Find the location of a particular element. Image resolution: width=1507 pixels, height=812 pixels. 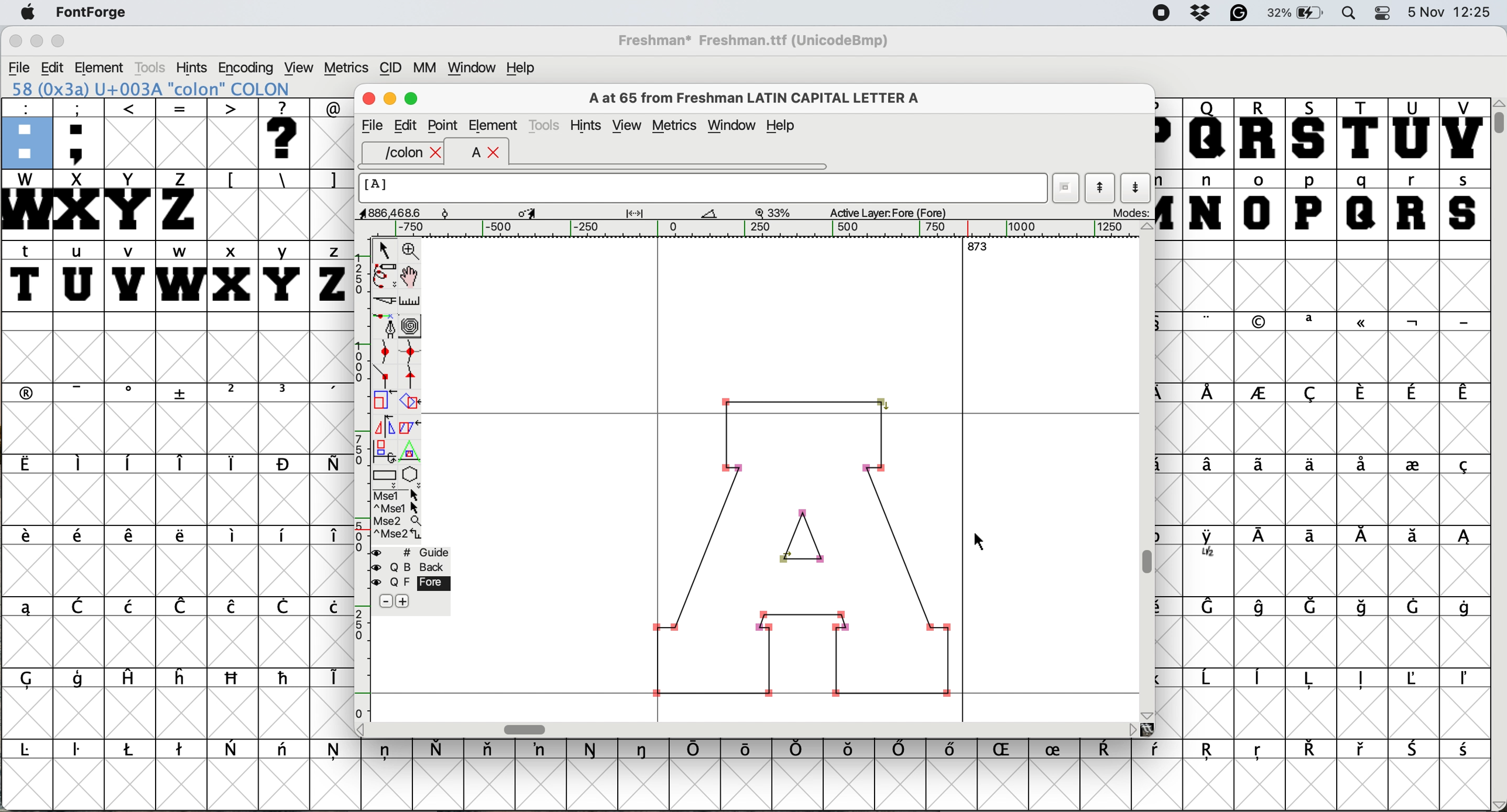

Freshman* Freshman.ttf (UnicodeBmp) is located at coordinates (759, 40).